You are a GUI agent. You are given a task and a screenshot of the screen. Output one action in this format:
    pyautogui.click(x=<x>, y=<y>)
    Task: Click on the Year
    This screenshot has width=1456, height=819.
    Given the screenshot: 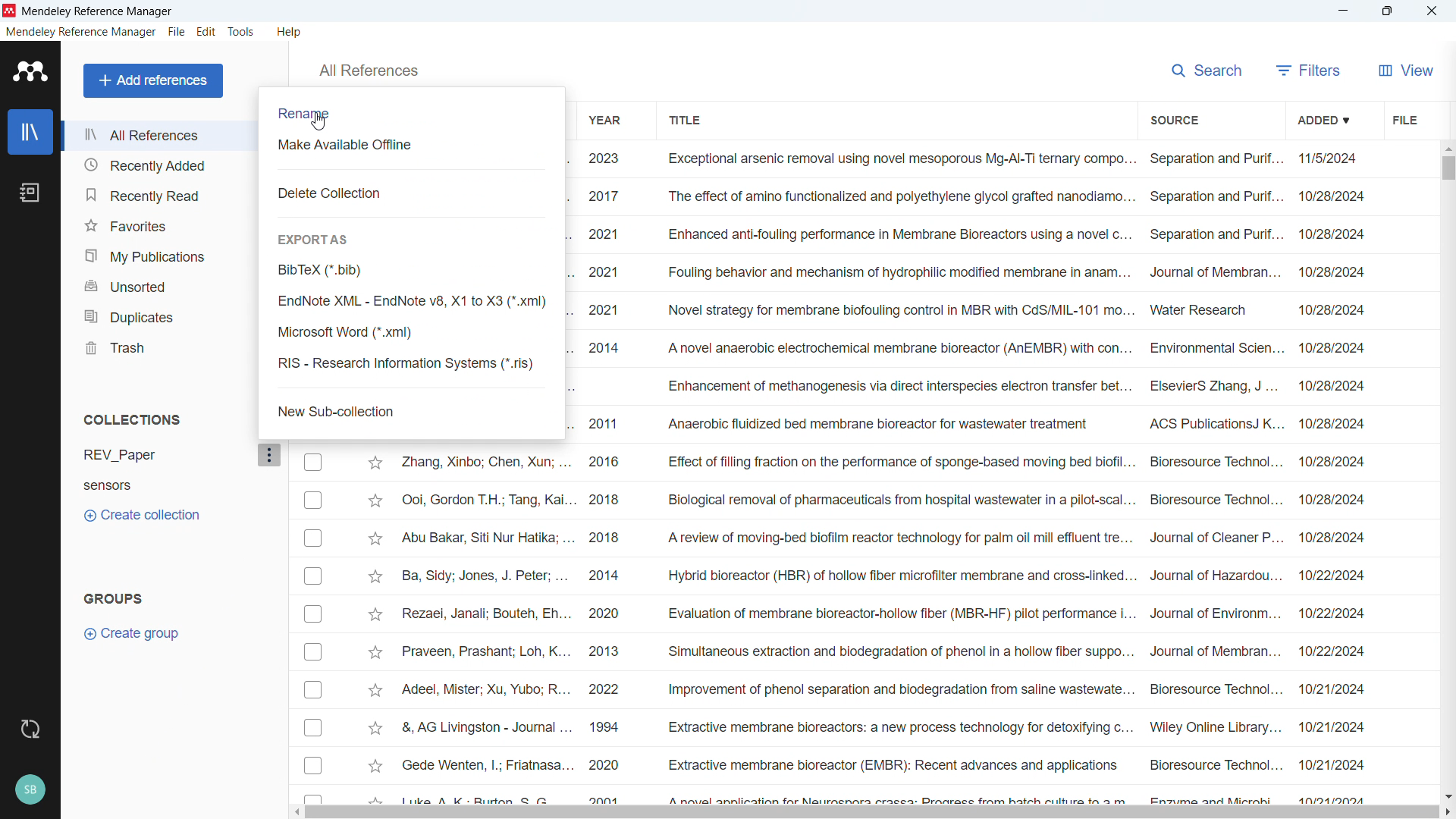 What is the action you would take?
    pyautogui.click(x=607, y=119)
    